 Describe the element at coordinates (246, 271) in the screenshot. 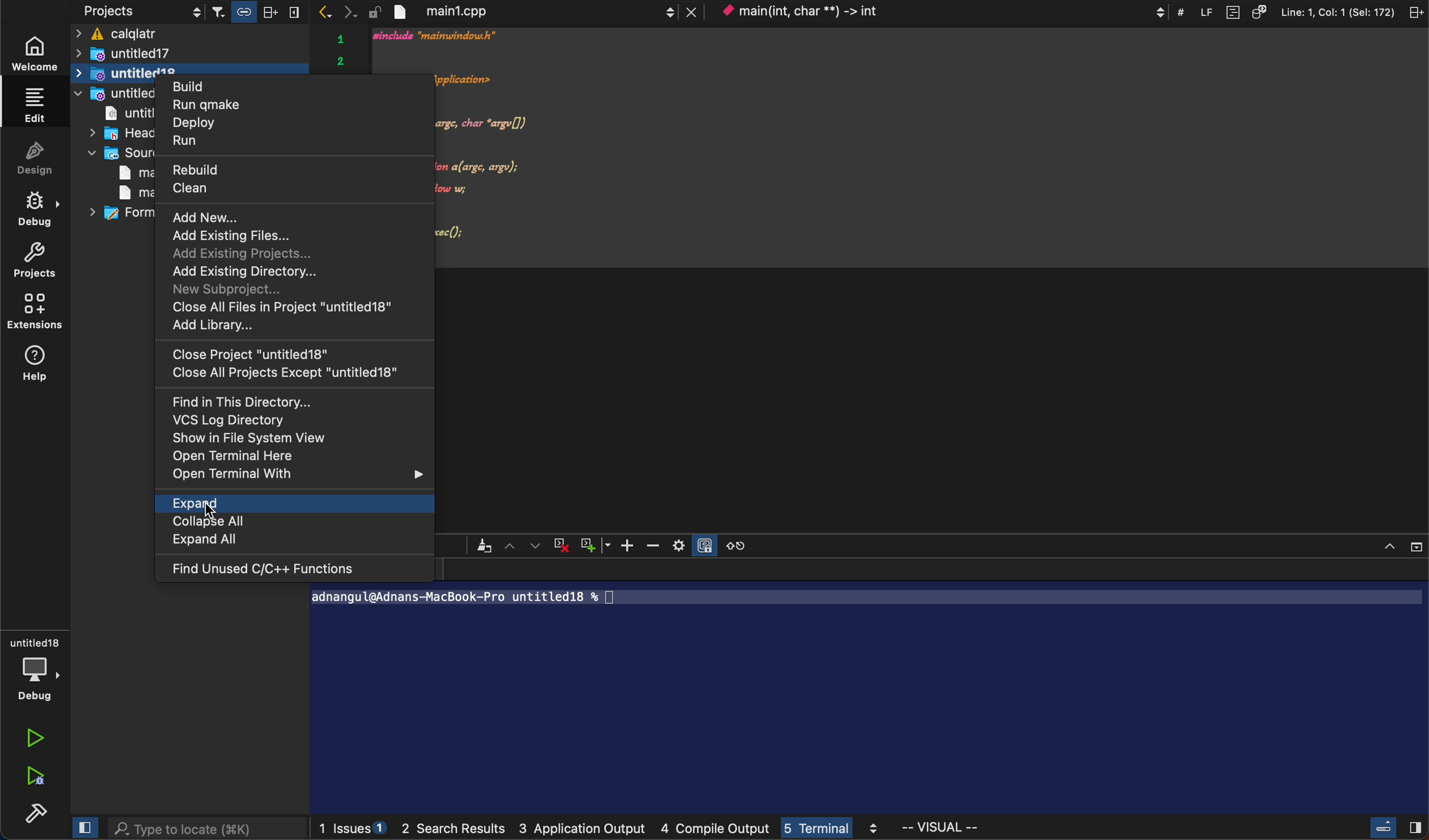

I see `add directory` at that location.